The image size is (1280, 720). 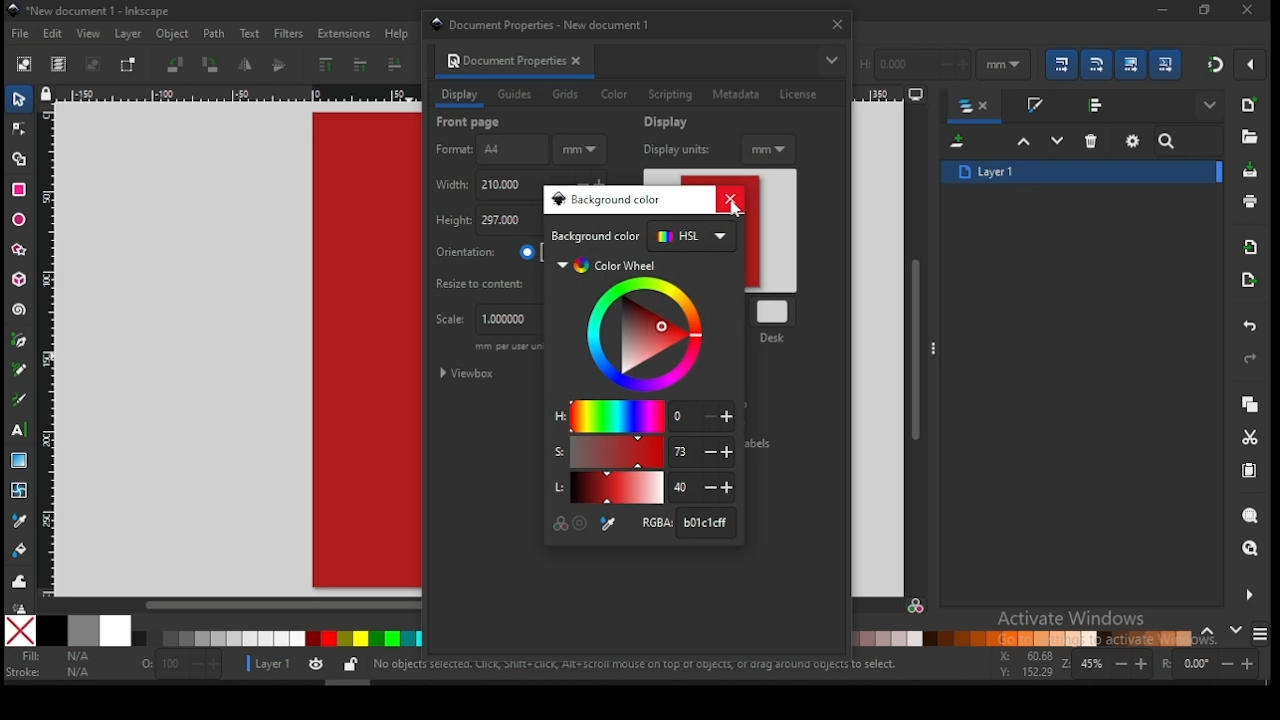 What do you see at coordinates (280, 65) in the screenshot?
I see `object flip vertical` at bounding box center [280, 65].